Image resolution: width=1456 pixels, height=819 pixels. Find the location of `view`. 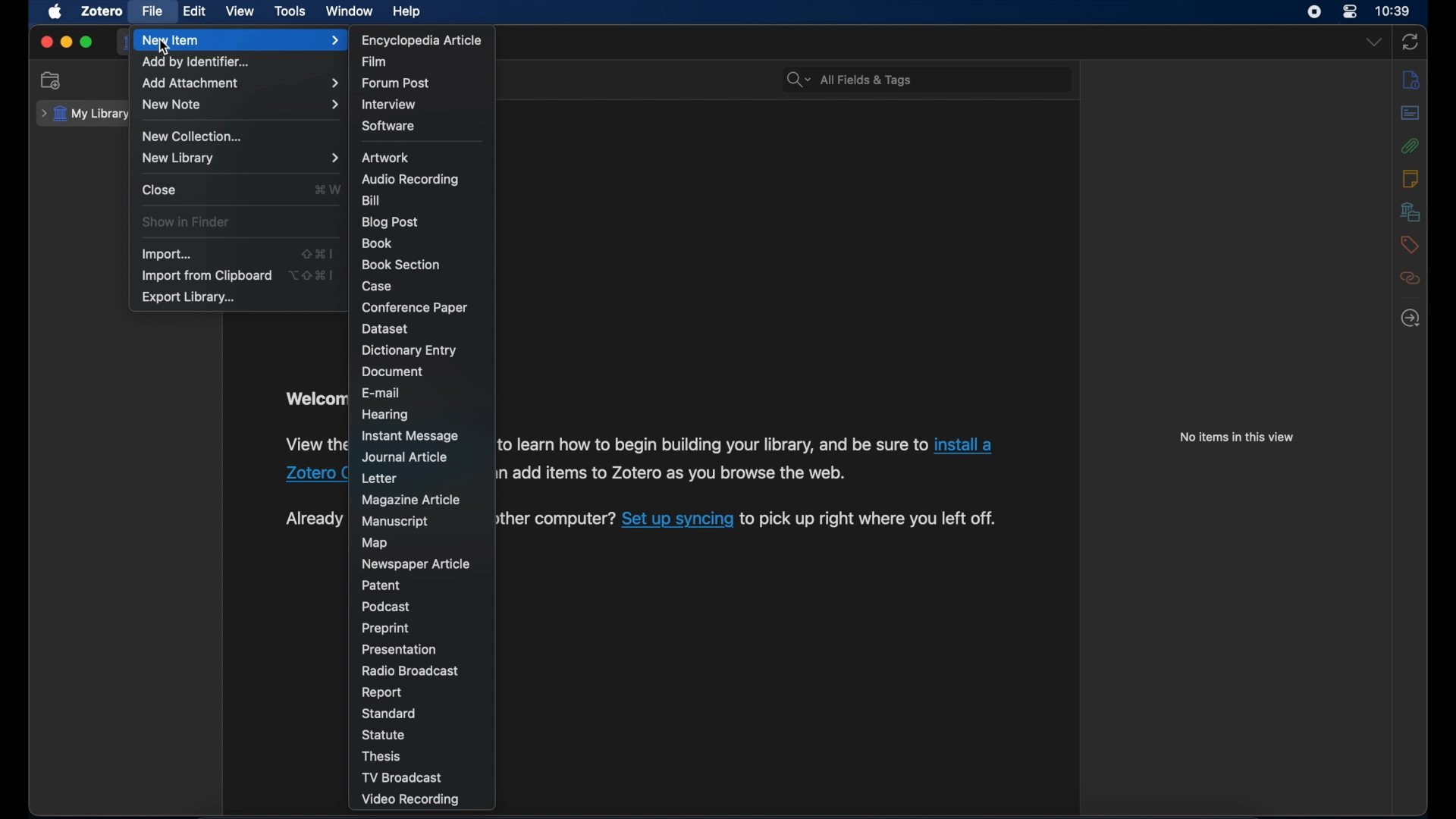

view is located at coordinates (241, 11).